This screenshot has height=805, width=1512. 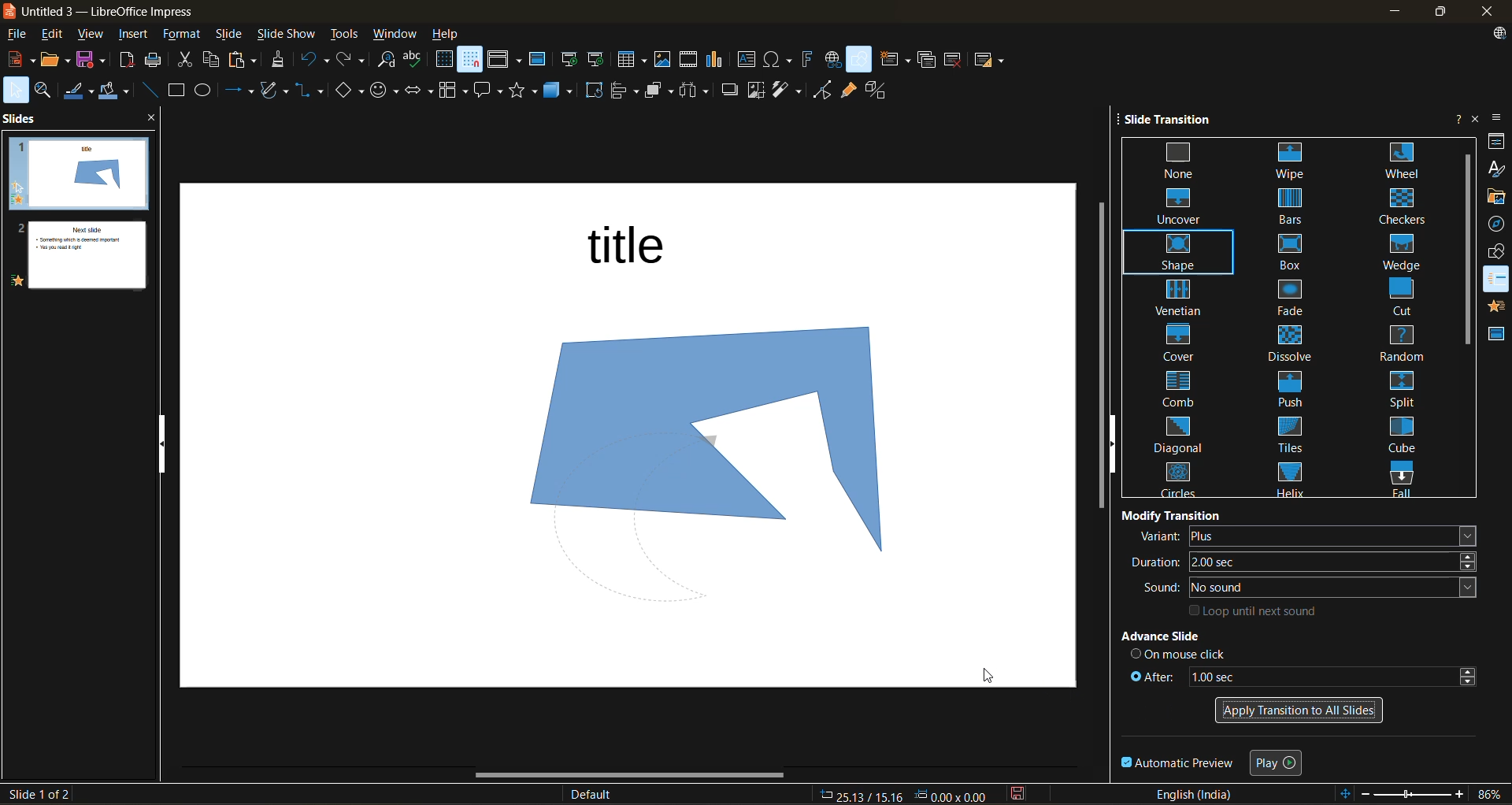 What do you see at coordinates (861, 60) in the screenshot?
I see `show draw functions` at bounding box center [861, 60].